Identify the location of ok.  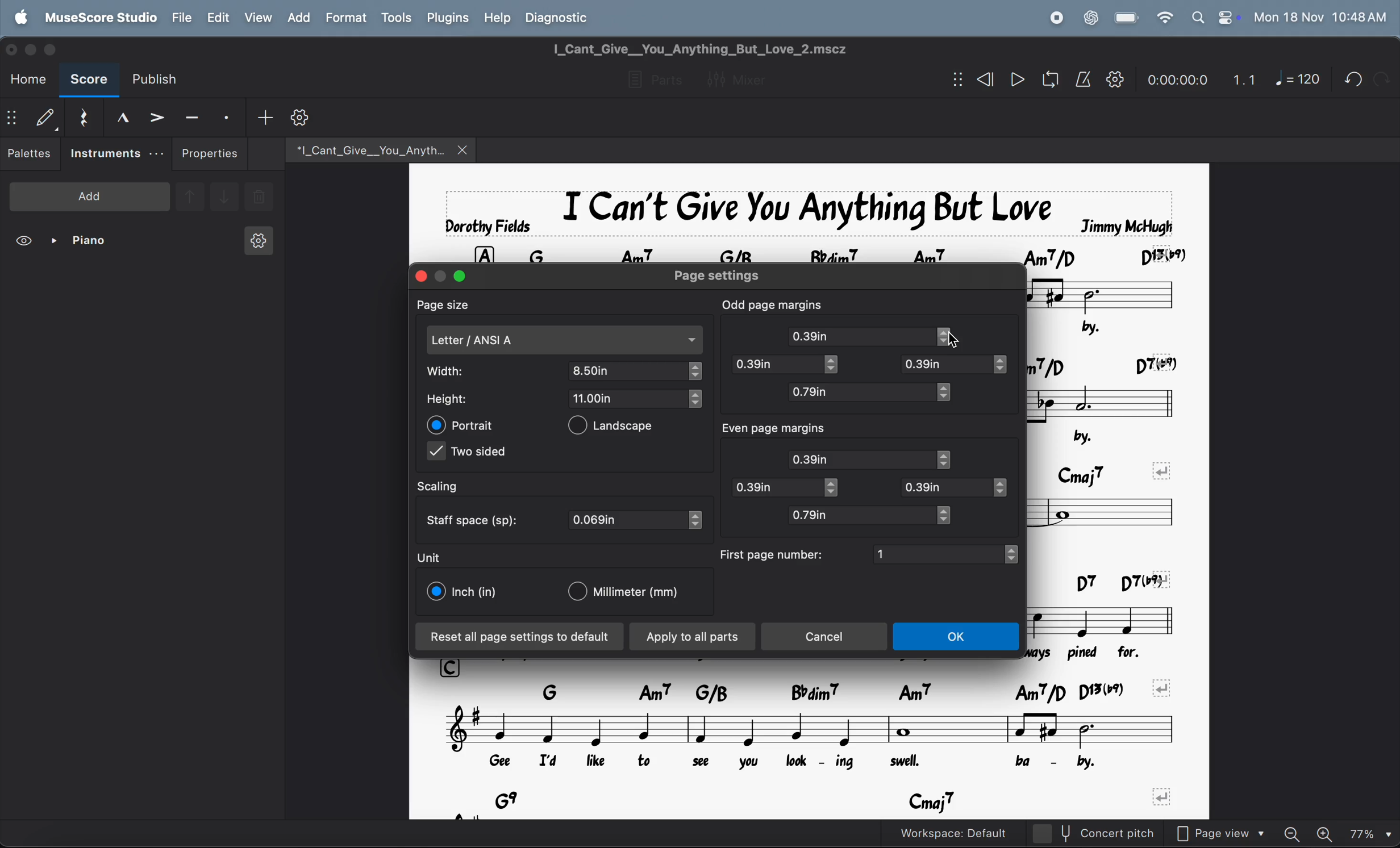
(959, 638).